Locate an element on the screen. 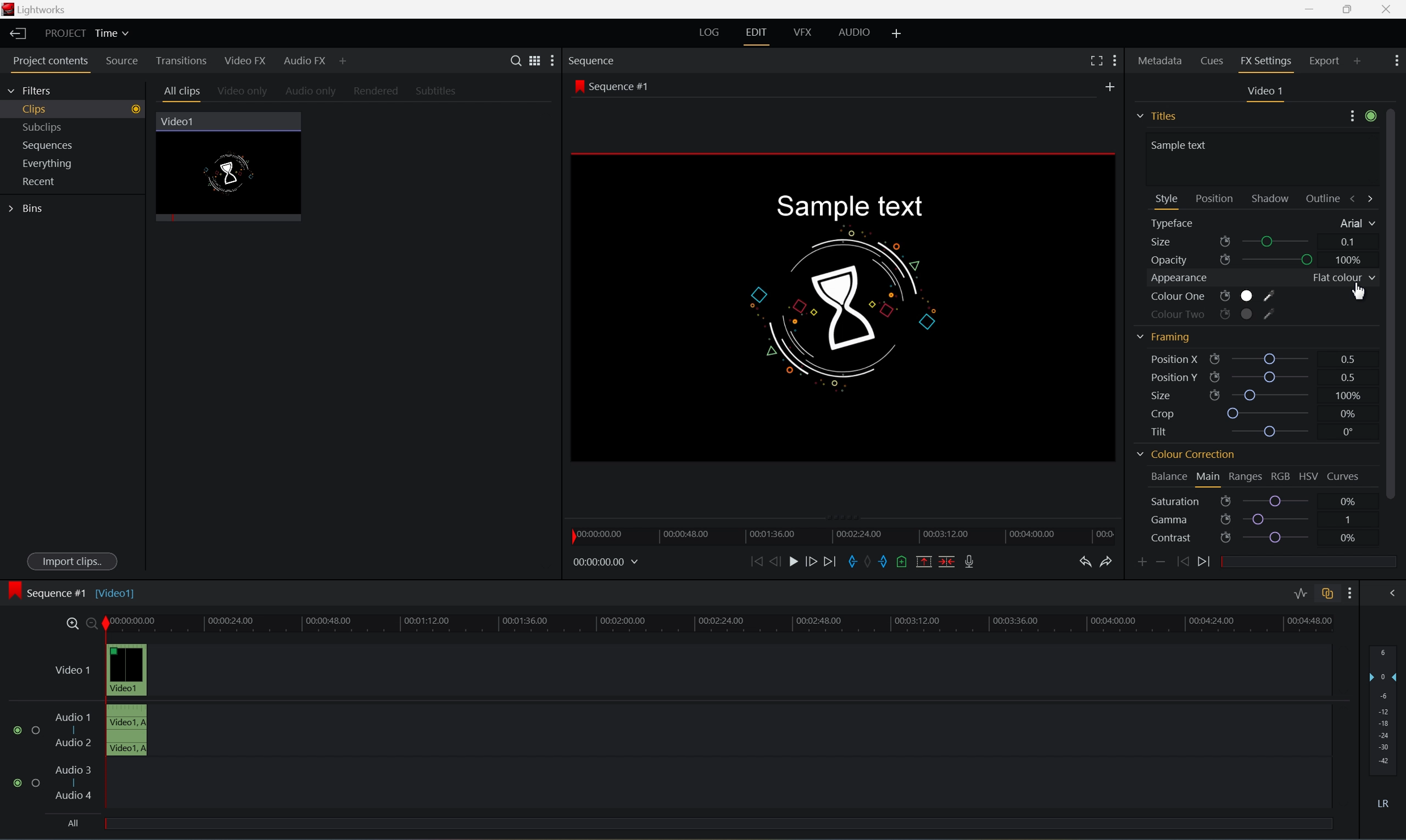  everything is located at coordinates (53, 164).